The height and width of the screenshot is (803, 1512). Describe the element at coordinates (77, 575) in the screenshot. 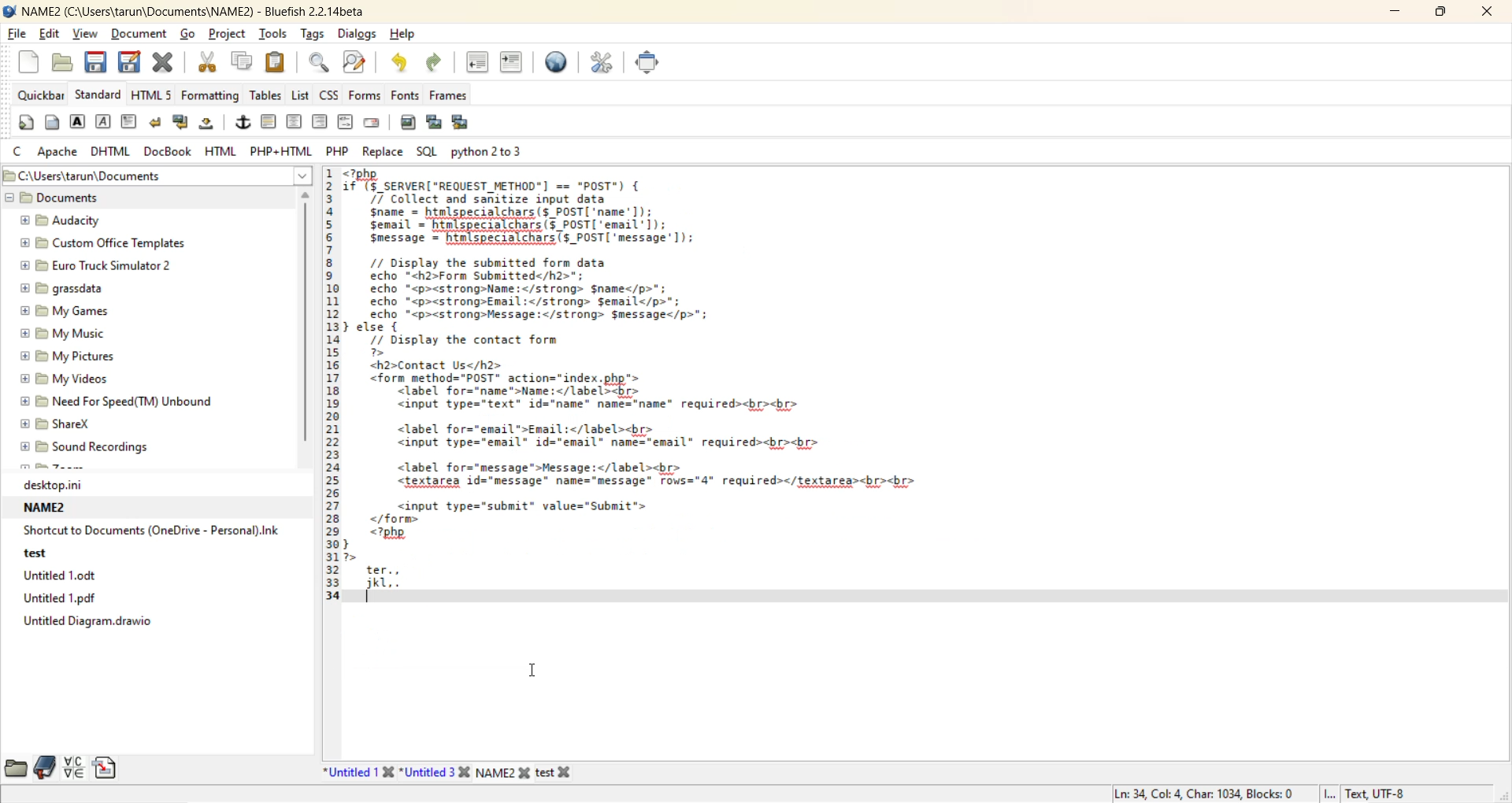

I see `Untitled 1.0dt` at that location.